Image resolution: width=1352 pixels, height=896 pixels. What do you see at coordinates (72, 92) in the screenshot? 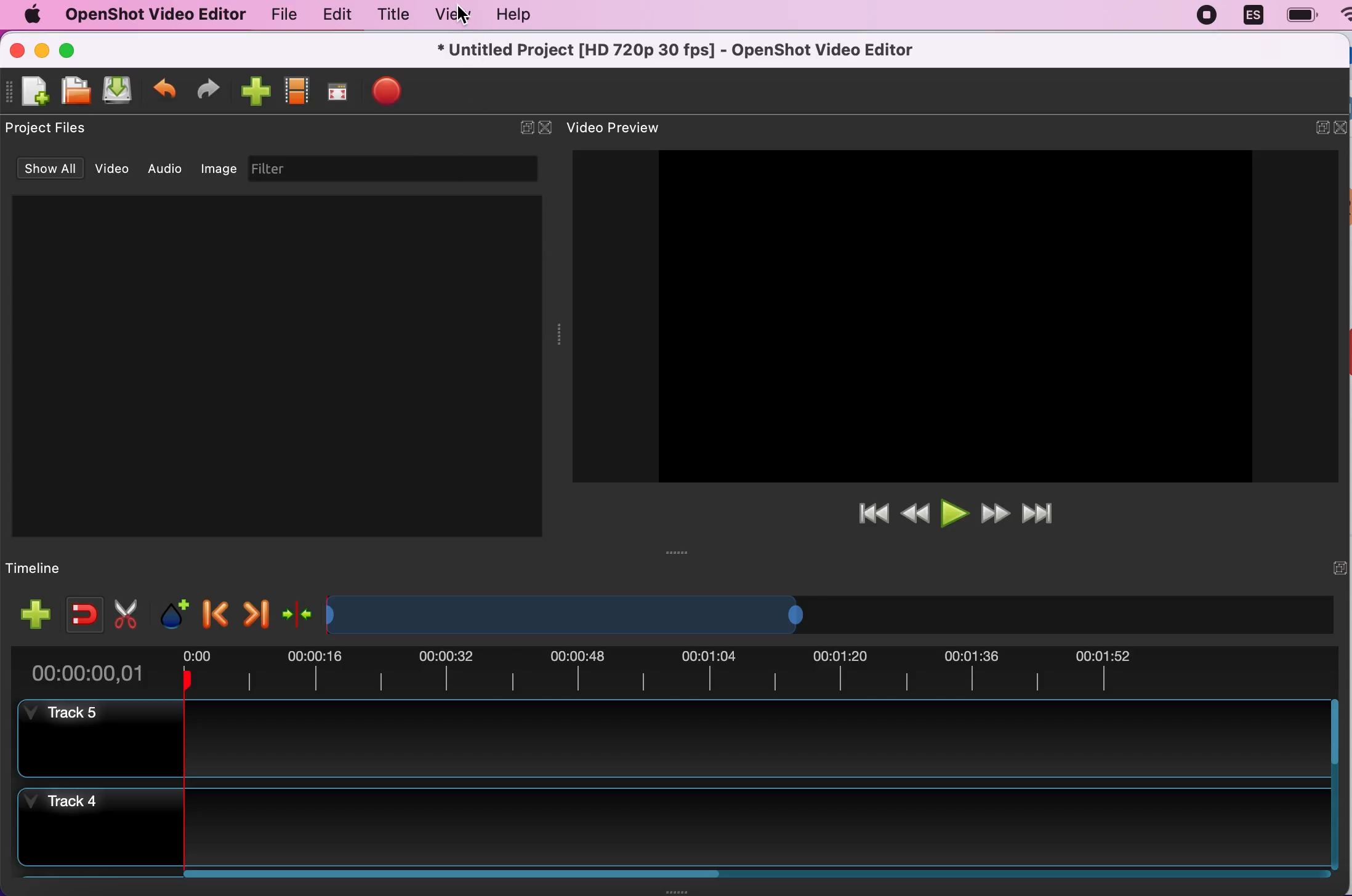
I see `open file` at bounding box center [72, 92].